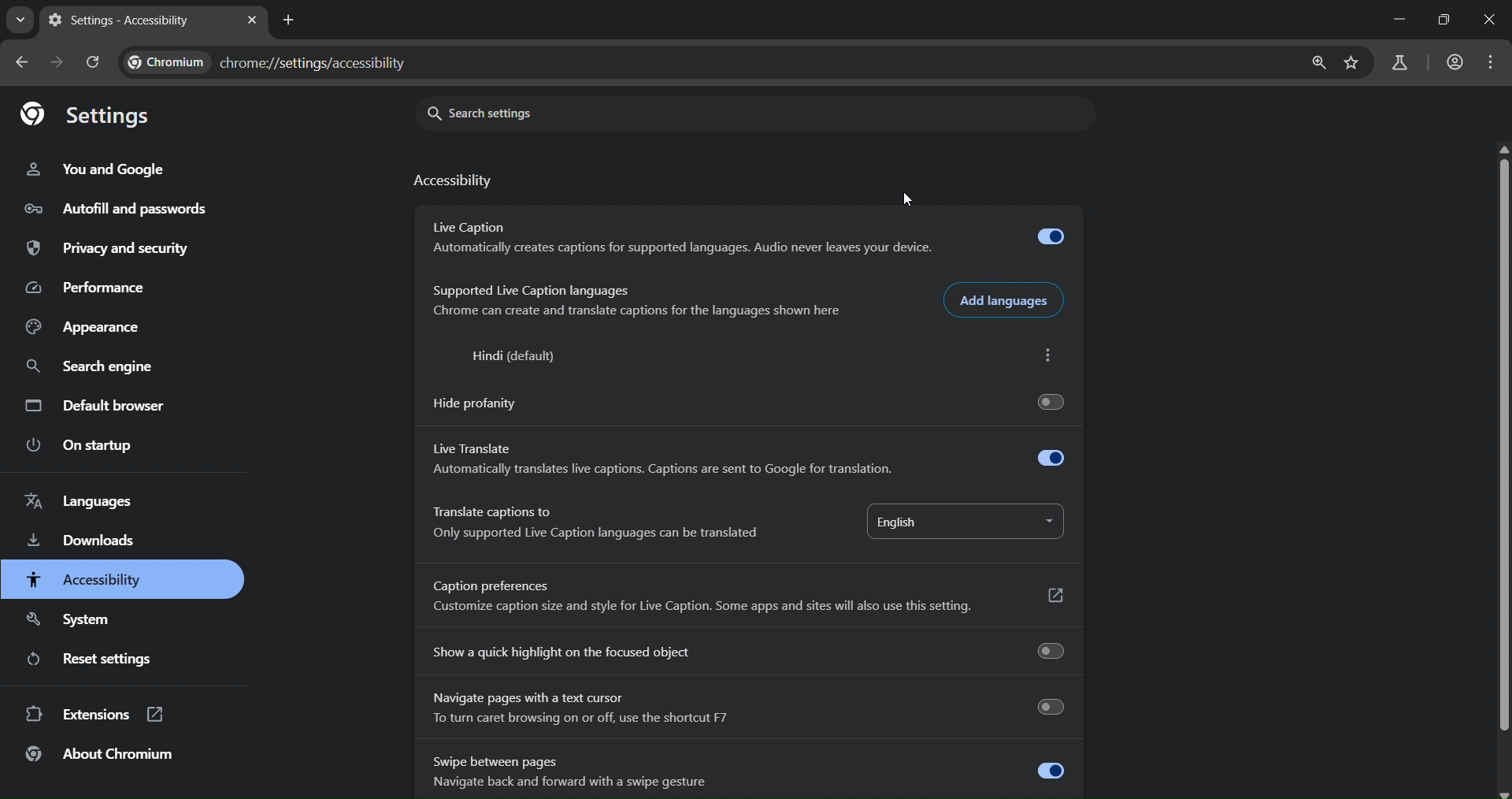  I want to click on Toogle, so click(1046, 649).